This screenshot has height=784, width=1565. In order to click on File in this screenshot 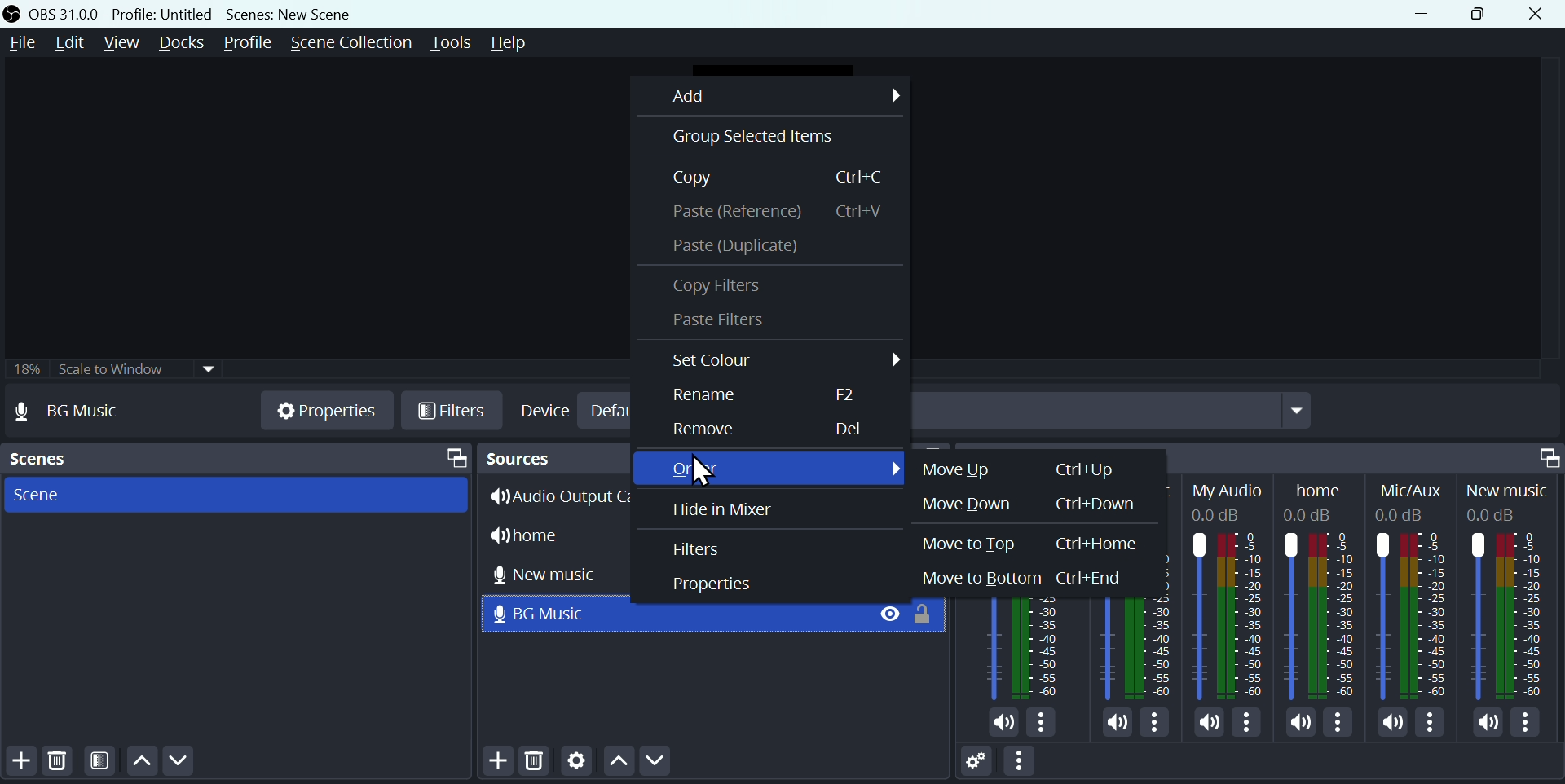, I will do `click(24, 44)`.